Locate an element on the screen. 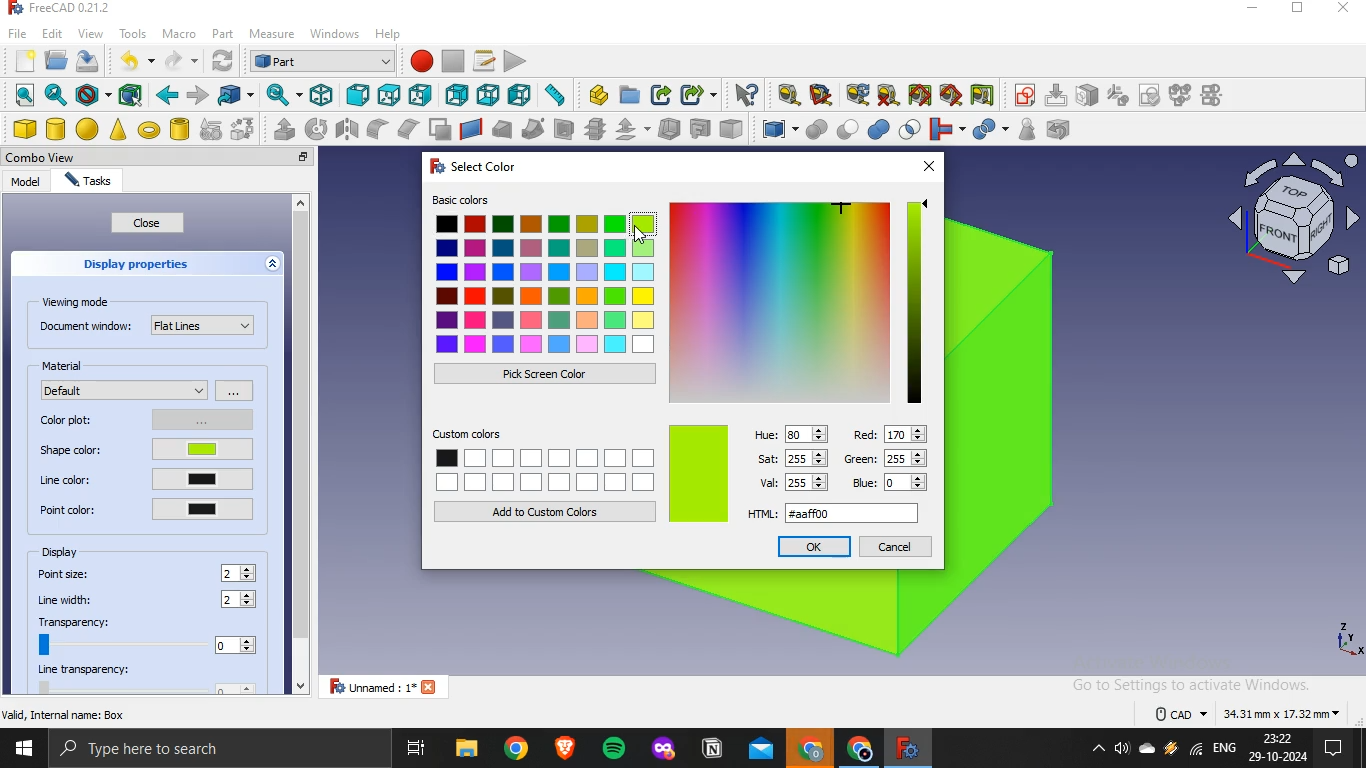 The height and width of the screenshot is (768, 1366). clear all is located at coordinates (888, 95).